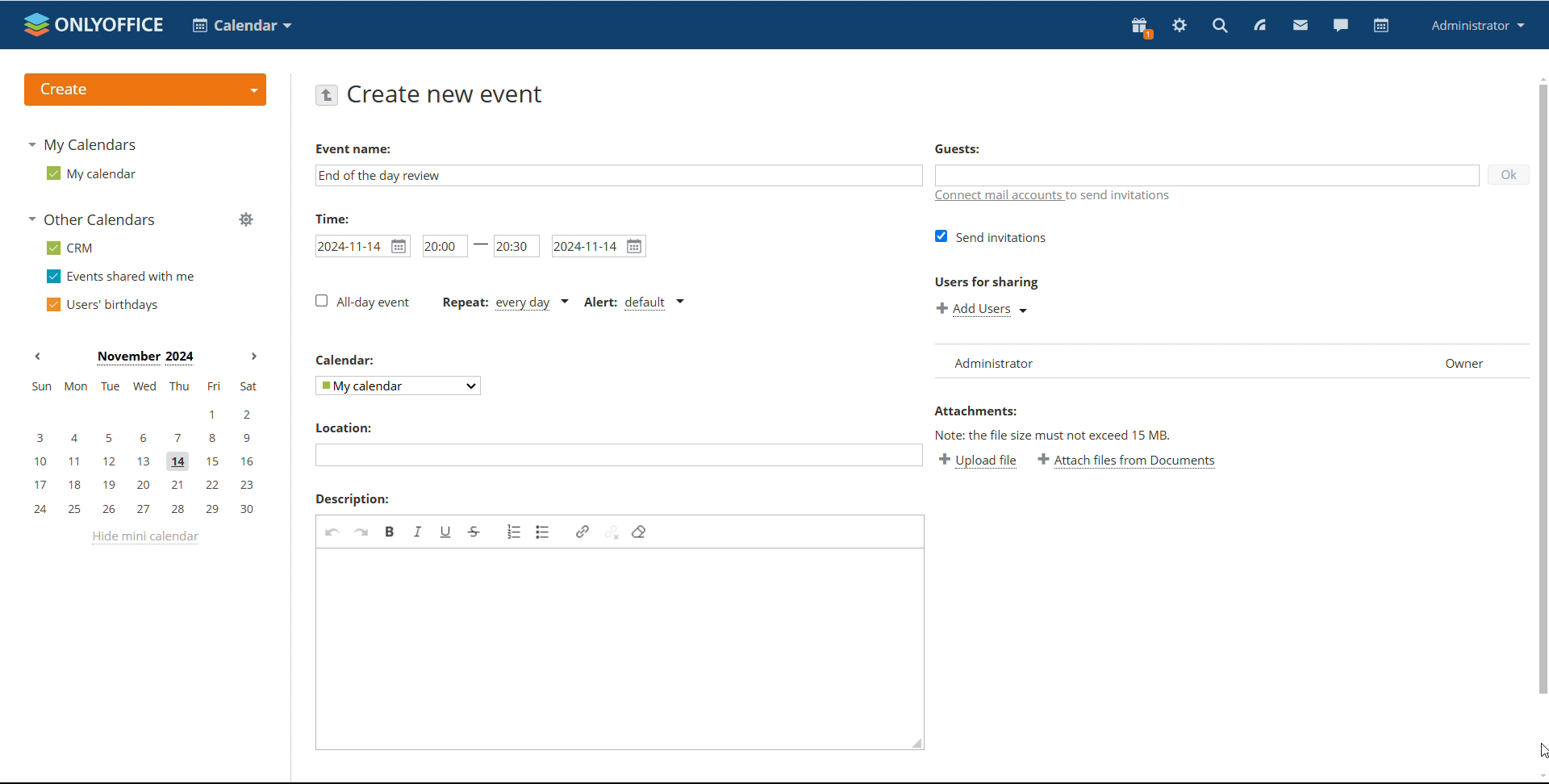 The width and height of the screenshot is (1549, 784). I want to click on go back, so click(326, 94).